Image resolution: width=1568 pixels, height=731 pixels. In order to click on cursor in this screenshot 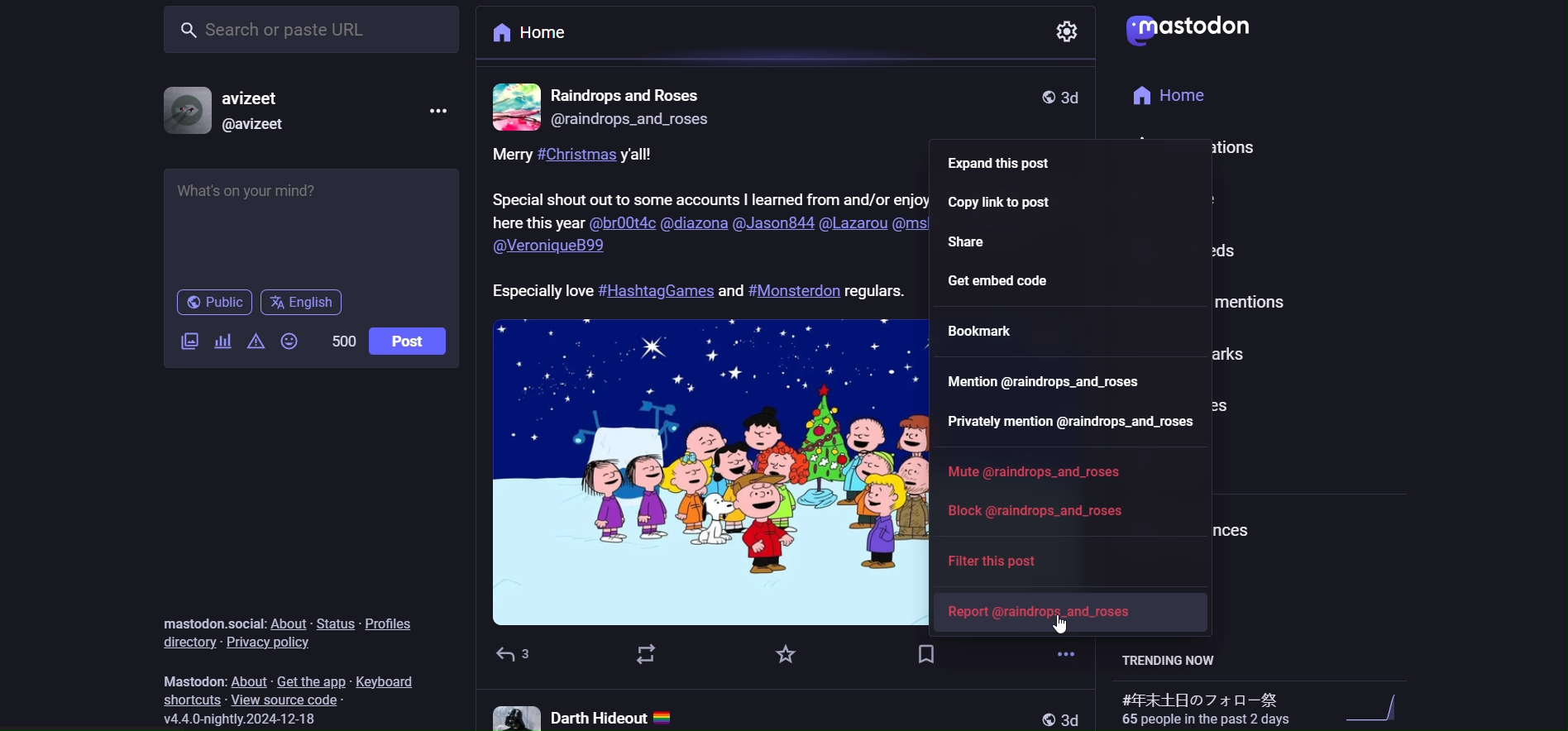, I will do `click(1064, 625)`.